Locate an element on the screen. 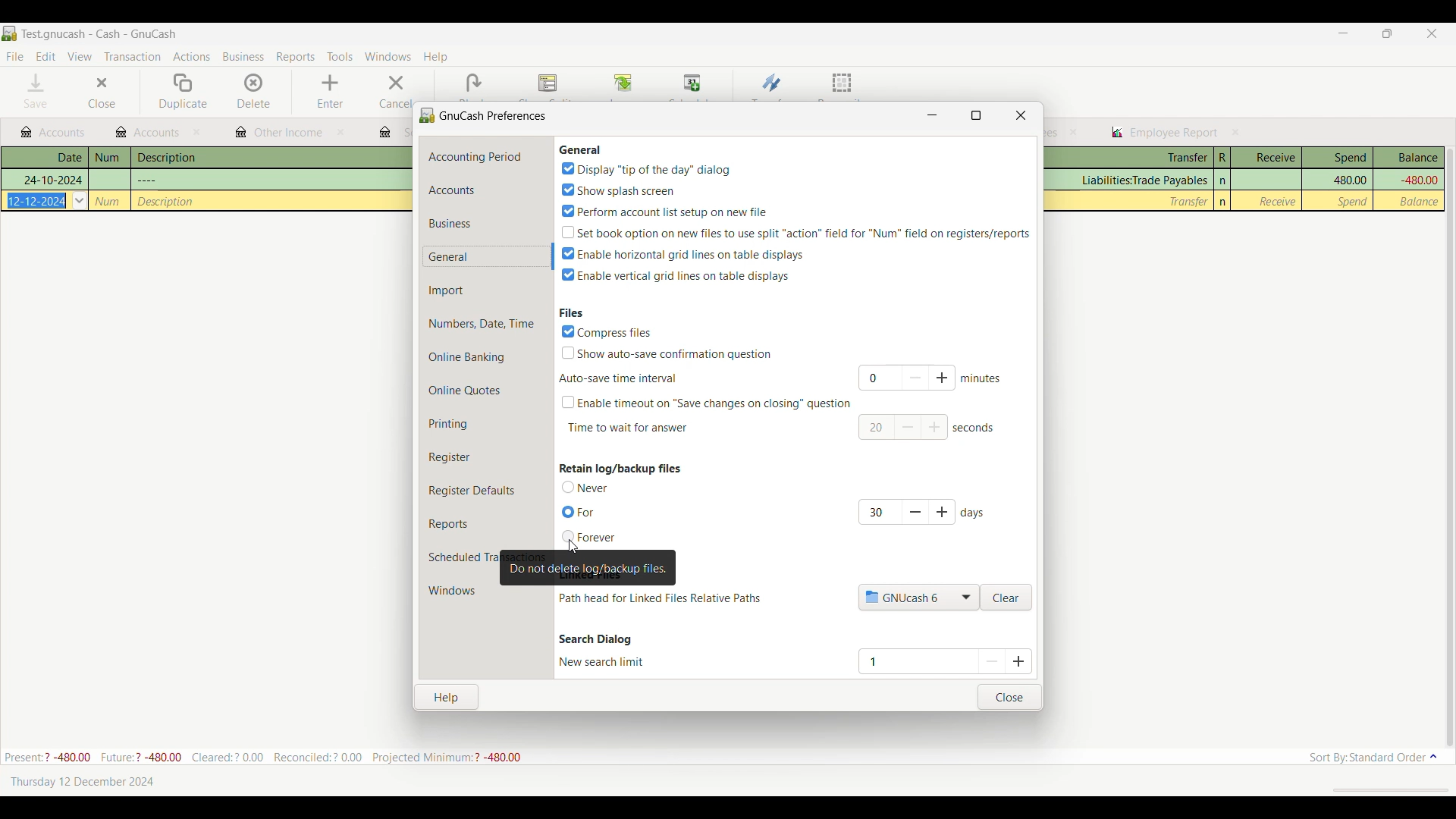 This screenshot has height=819, width=1456. Close window is located at coordinates (1021, 115).